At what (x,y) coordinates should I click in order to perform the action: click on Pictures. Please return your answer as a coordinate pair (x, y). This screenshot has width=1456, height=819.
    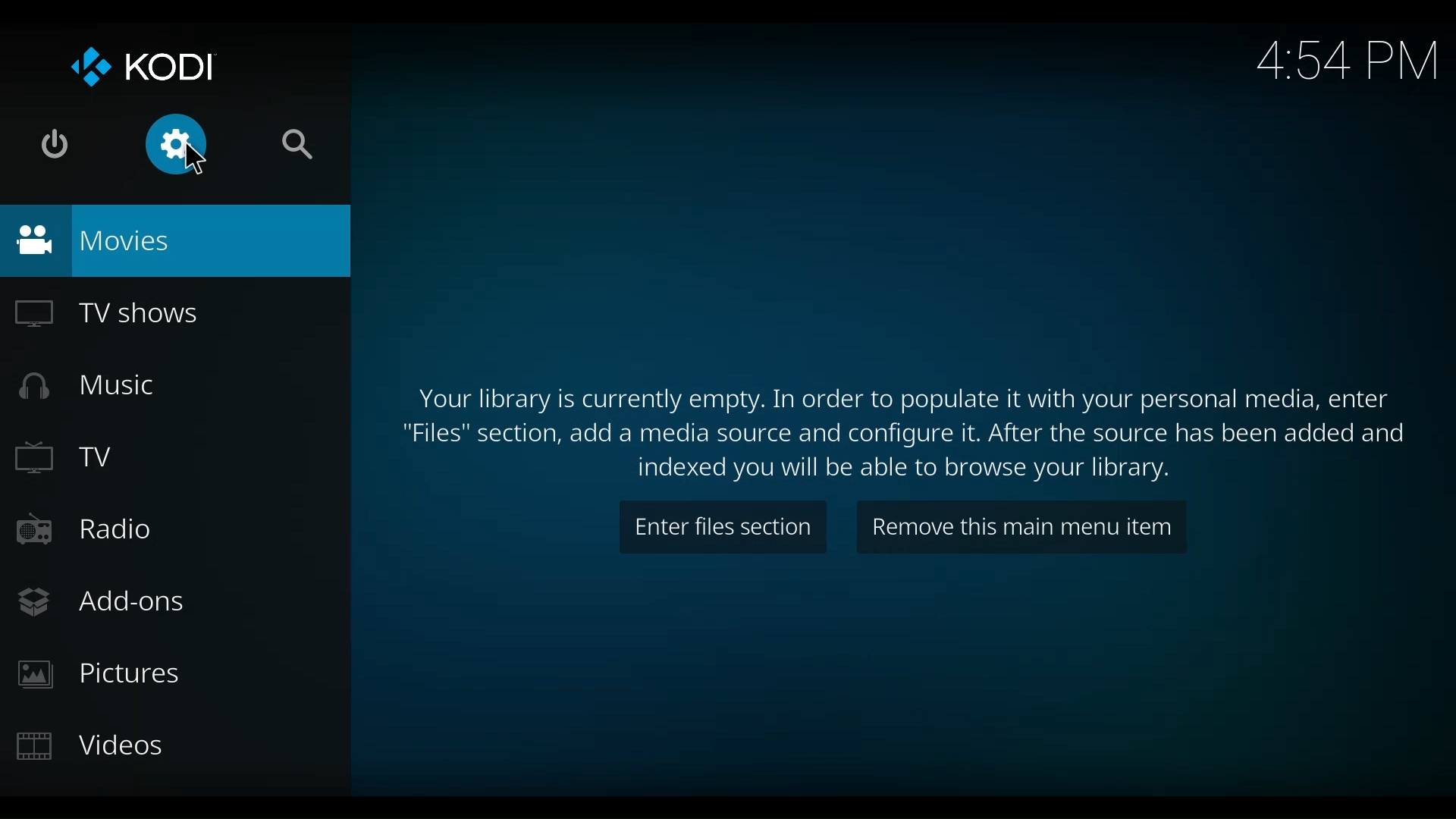
    Looking at the image, I should click on (97, 674).